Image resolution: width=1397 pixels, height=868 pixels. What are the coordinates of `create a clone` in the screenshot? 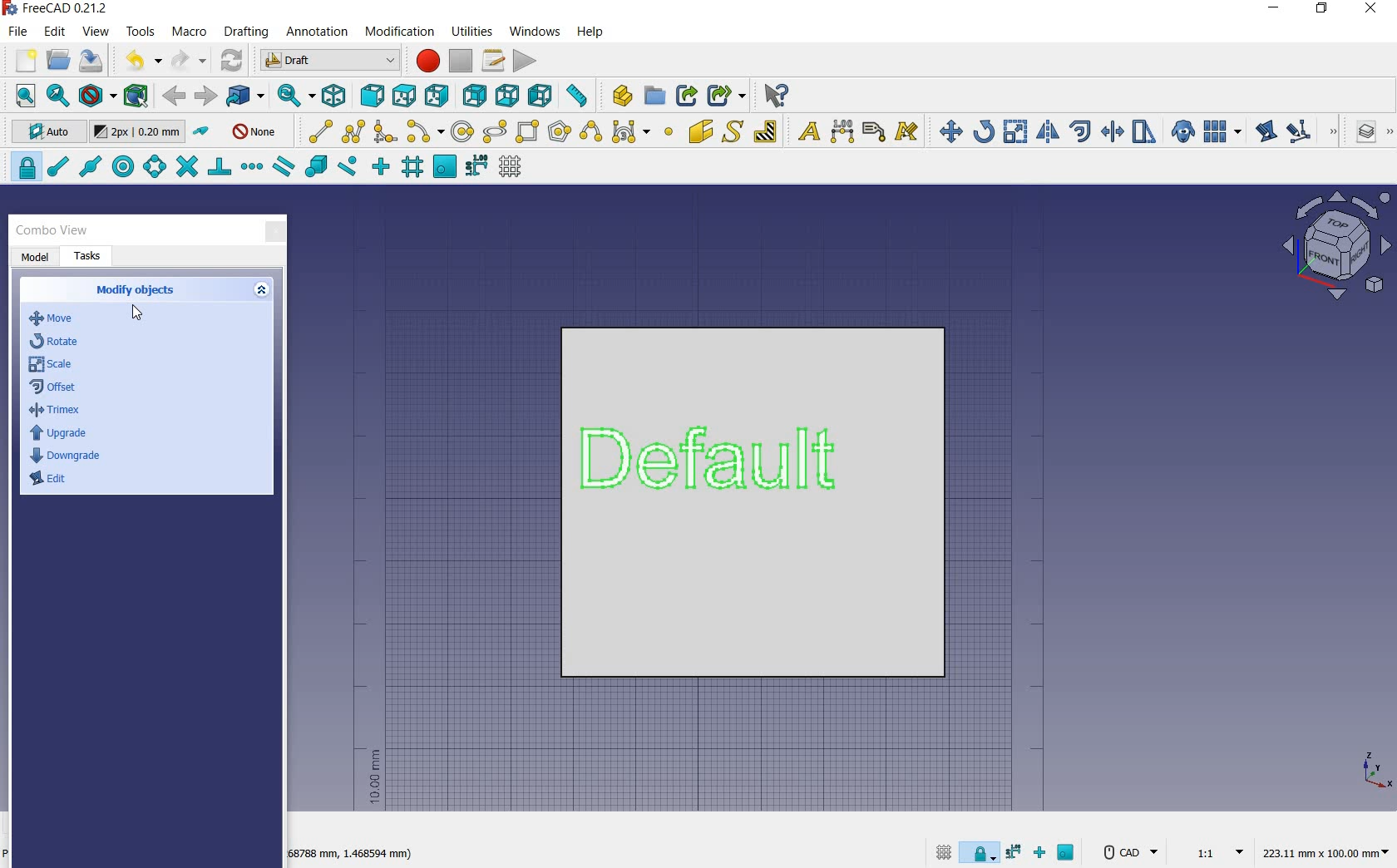 It's located at (1181, 133).